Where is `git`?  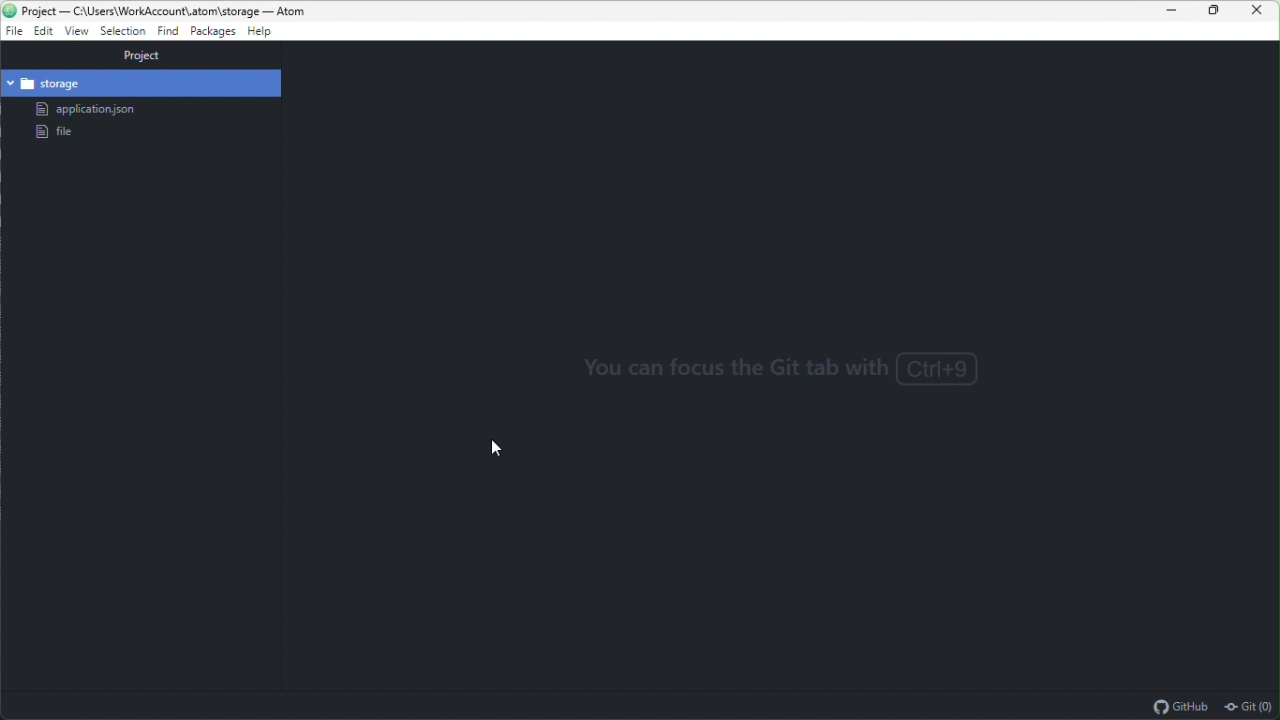 git is located at coordinates (1251, 708).